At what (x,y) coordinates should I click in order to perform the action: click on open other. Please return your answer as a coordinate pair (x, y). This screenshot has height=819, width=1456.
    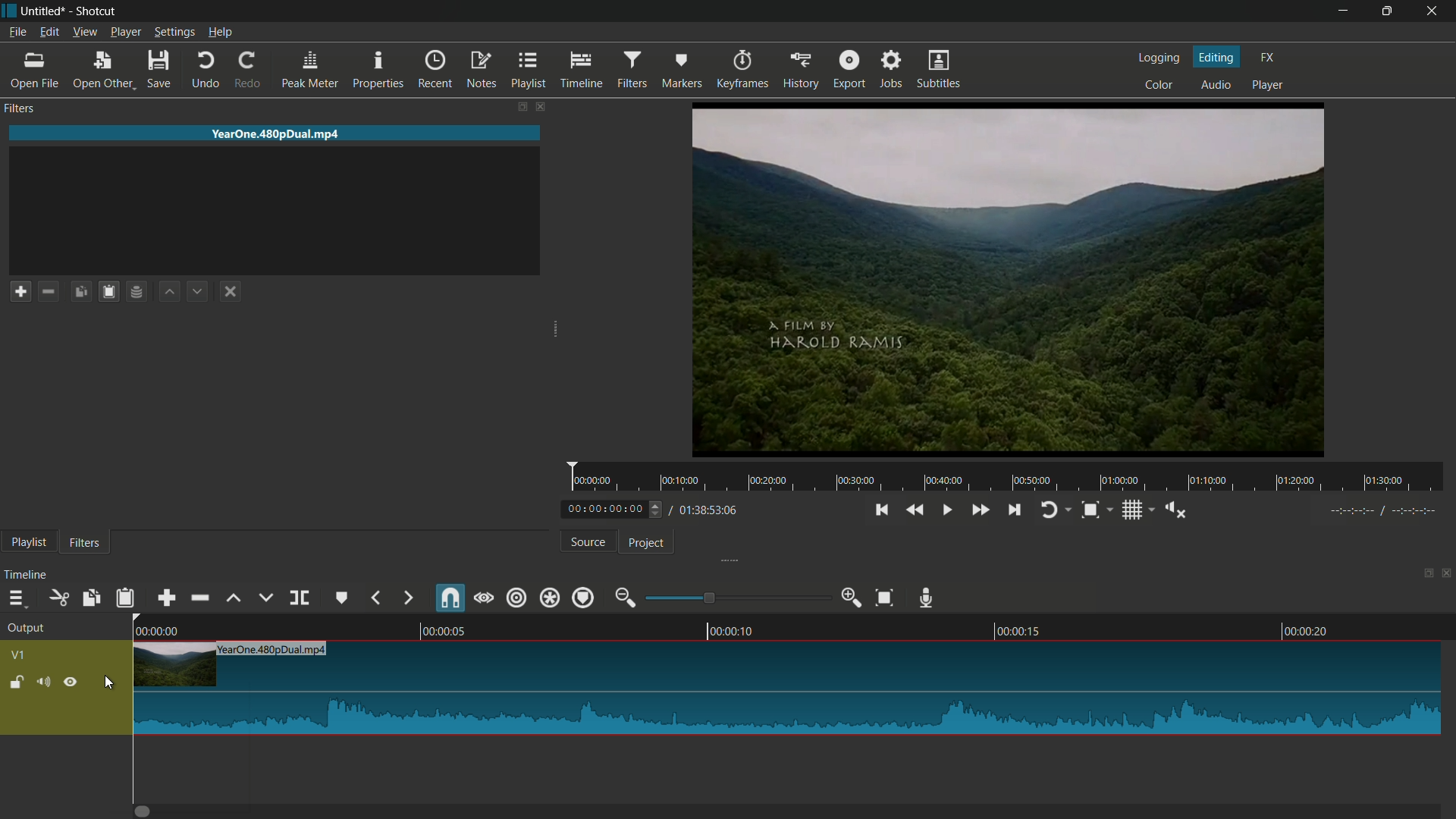
    Looking at the image, I should click on (101, 71).